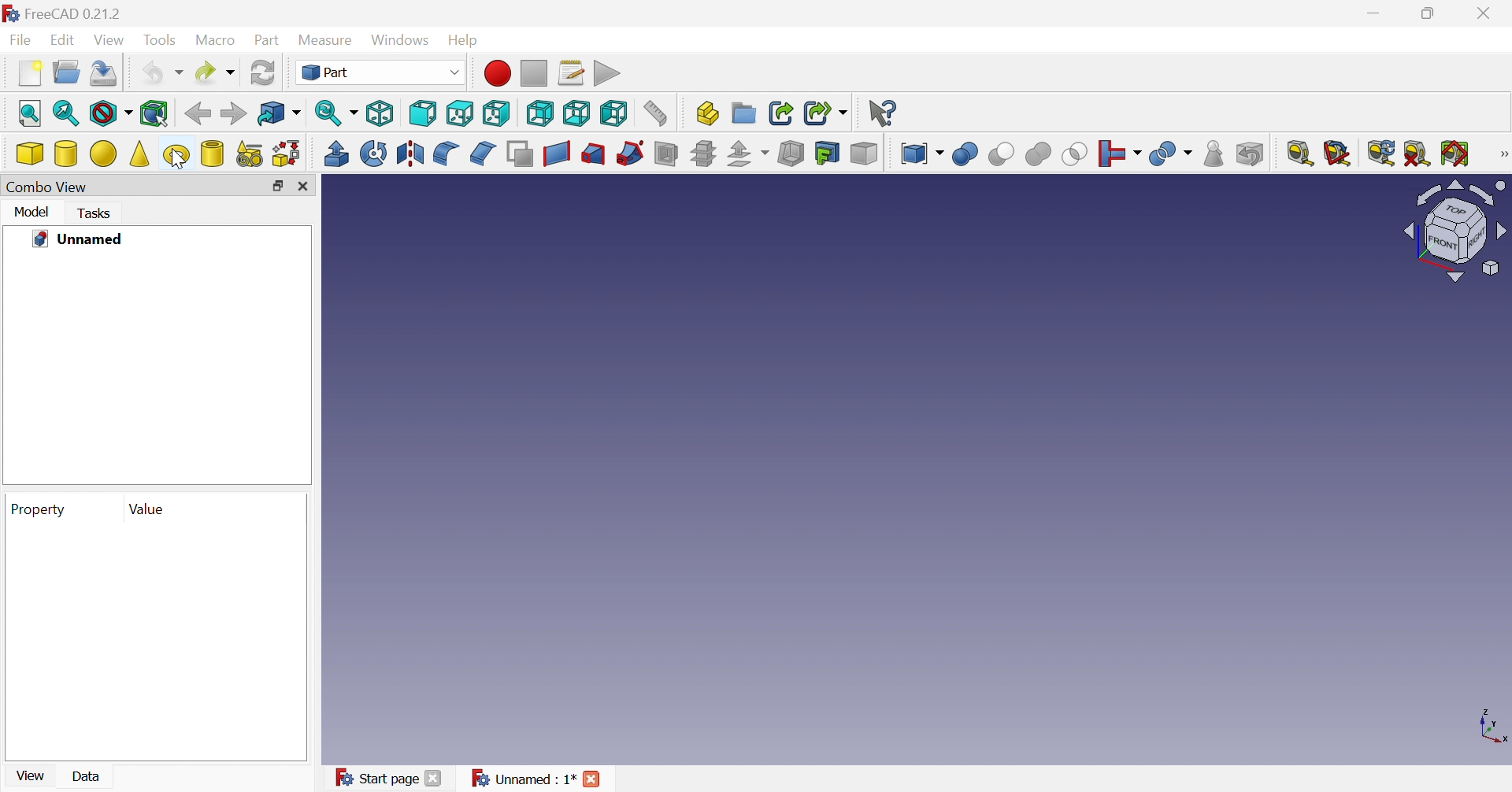 The height and width of the screenshot is (792, 1512). Describe the element at coordinates (483, 154) in the screenshot. I see `Chamfer...` at that location.